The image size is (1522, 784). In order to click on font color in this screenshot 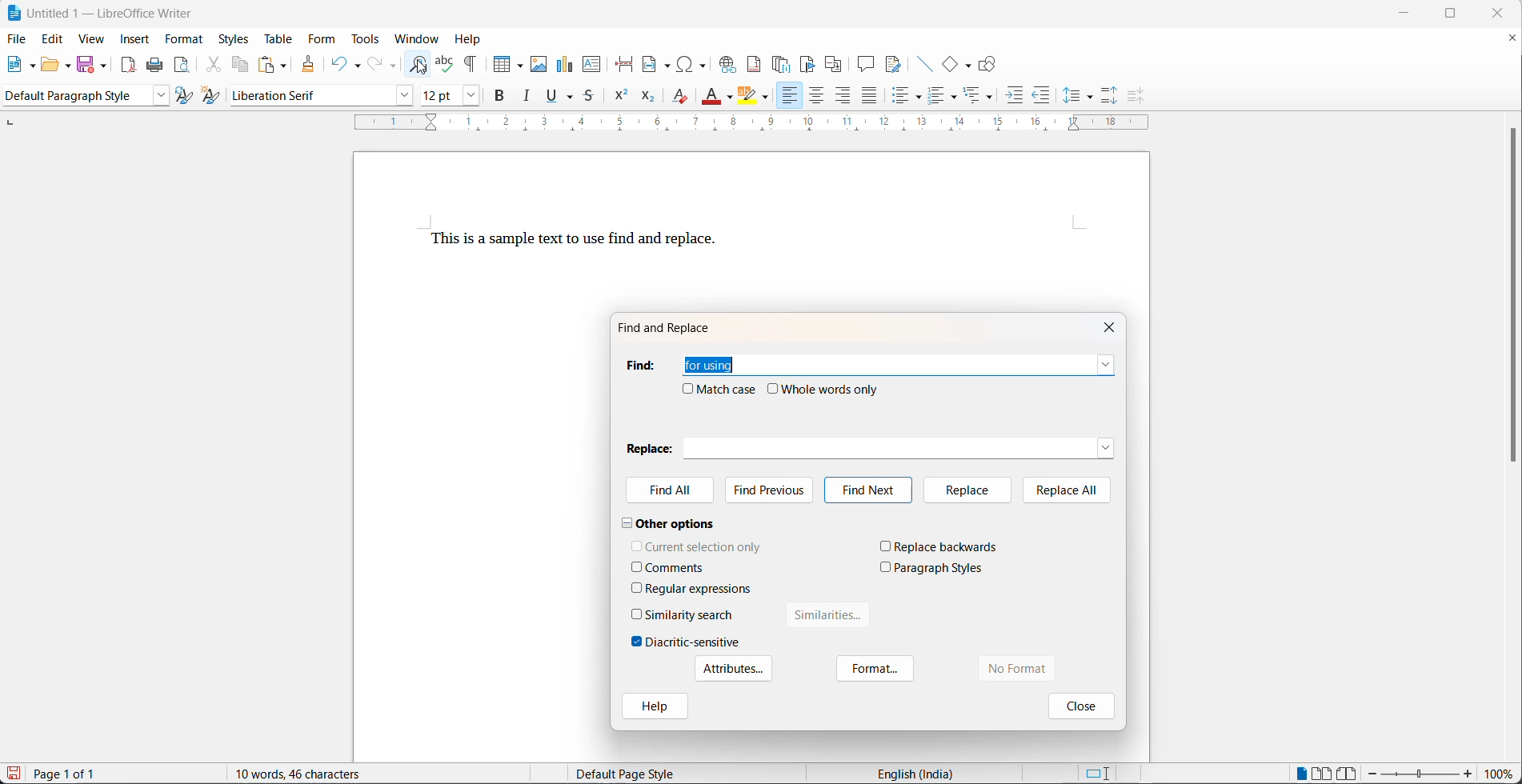, I will do `click(712, 95)`.